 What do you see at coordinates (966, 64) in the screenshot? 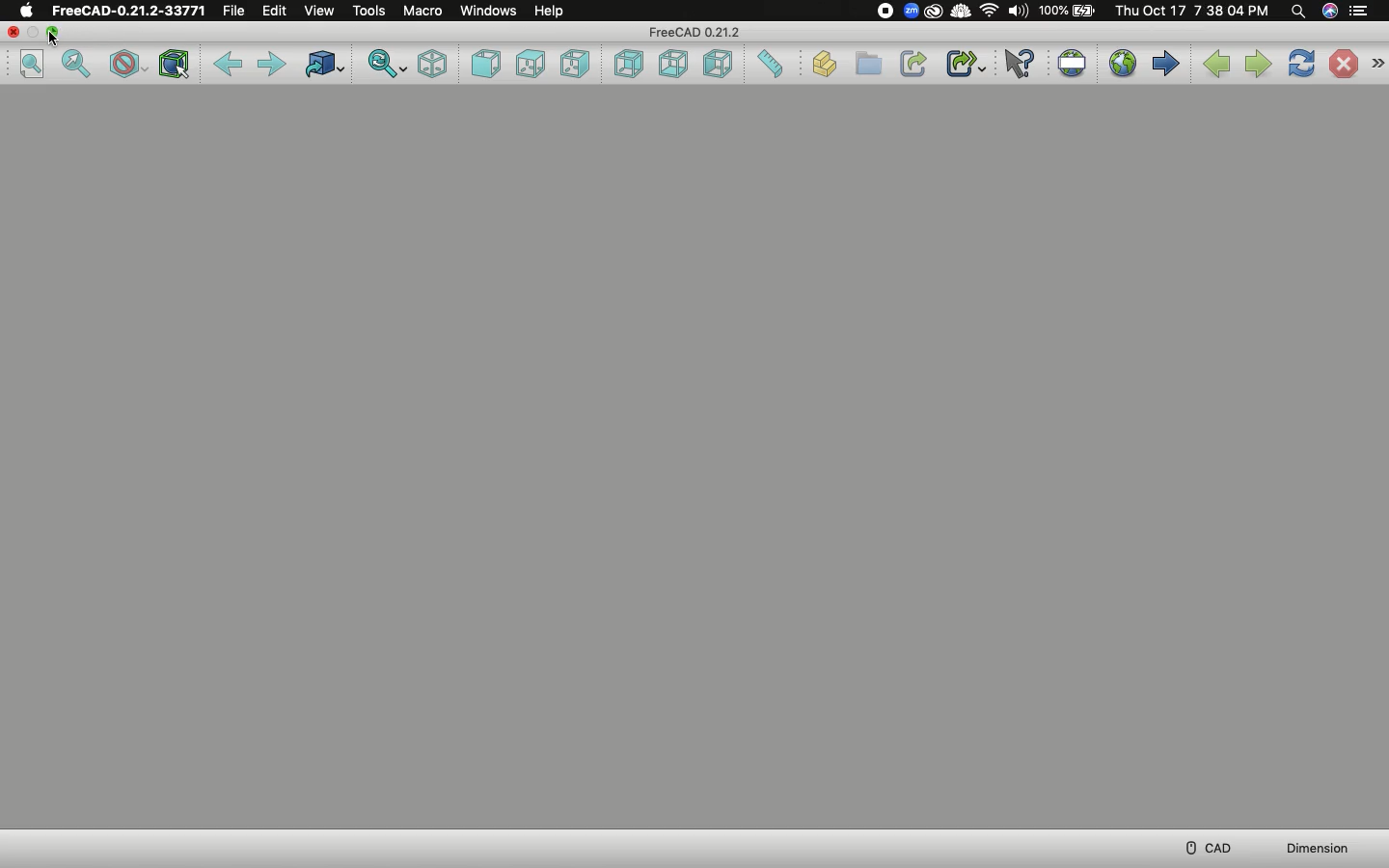
I see `Make sub-link` at bounding box center [966, 64].